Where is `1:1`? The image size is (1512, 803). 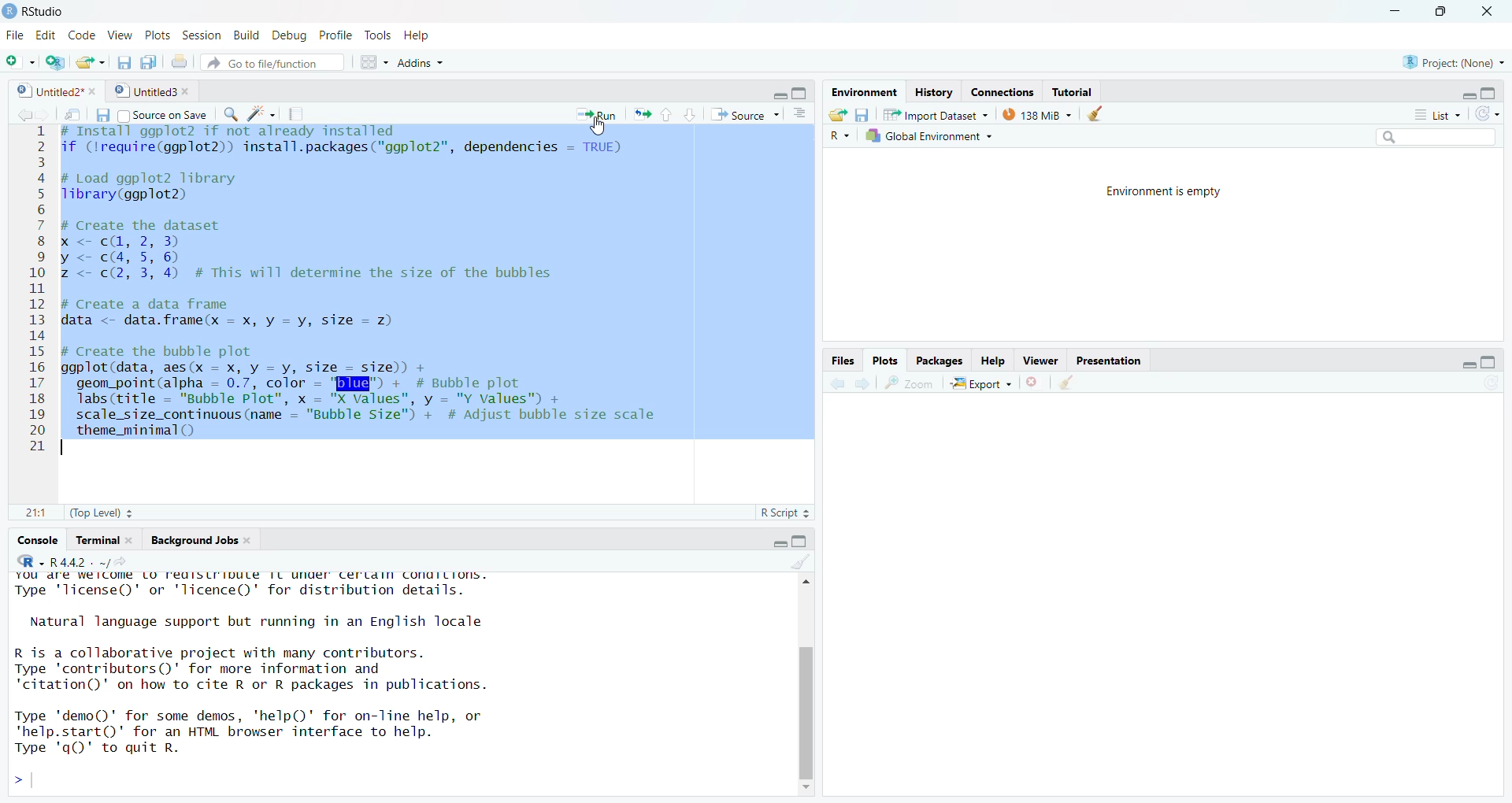
1:1 is located at coordinates (27, 513).